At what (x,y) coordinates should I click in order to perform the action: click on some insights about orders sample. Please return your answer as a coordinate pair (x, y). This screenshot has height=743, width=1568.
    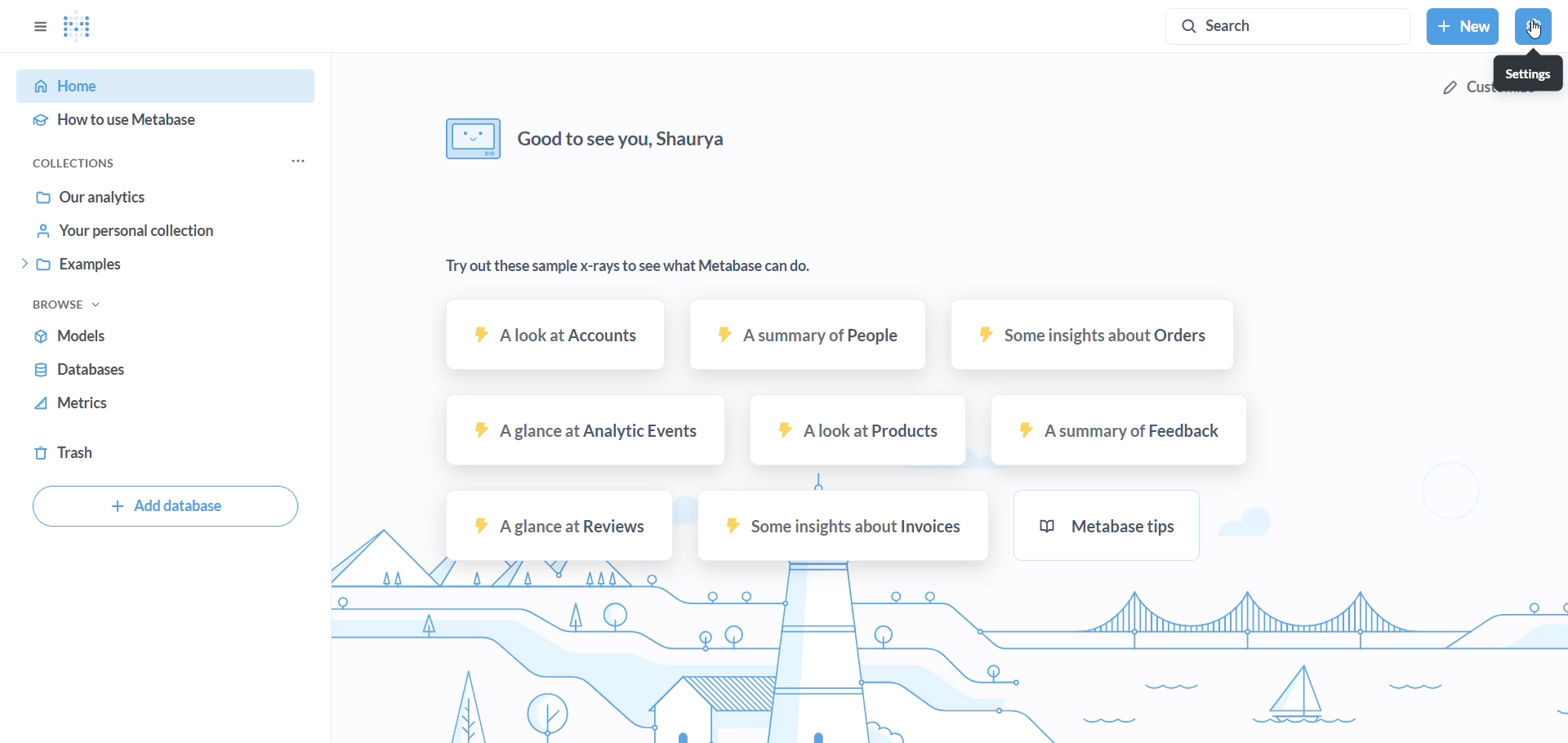
    Looking at the image, I should click on (1098, 337).